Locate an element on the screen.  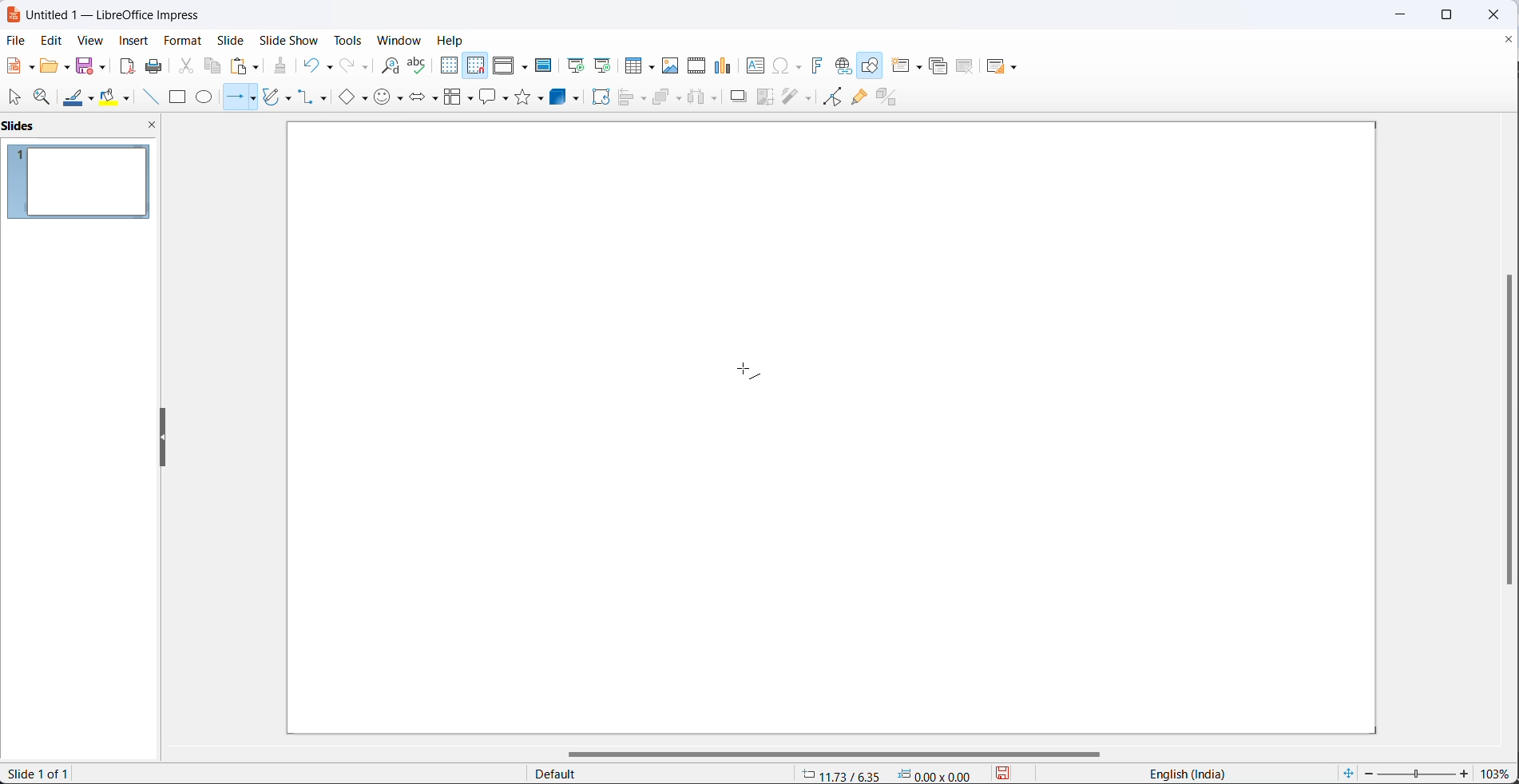
slide show is located at coordinates (286, 41).